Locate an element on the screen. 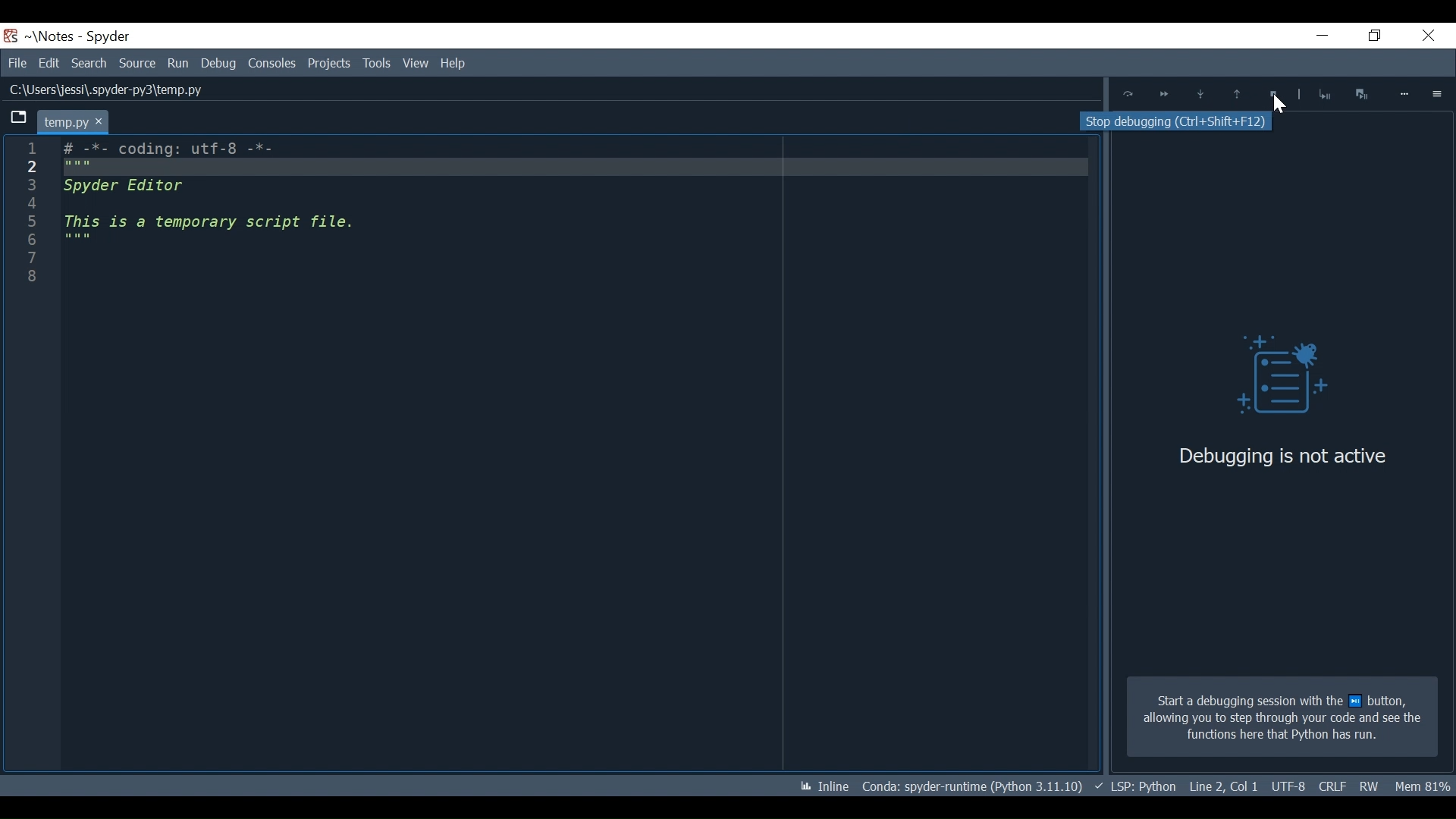  Execute Current Line is located at coordinates (1128, 94).